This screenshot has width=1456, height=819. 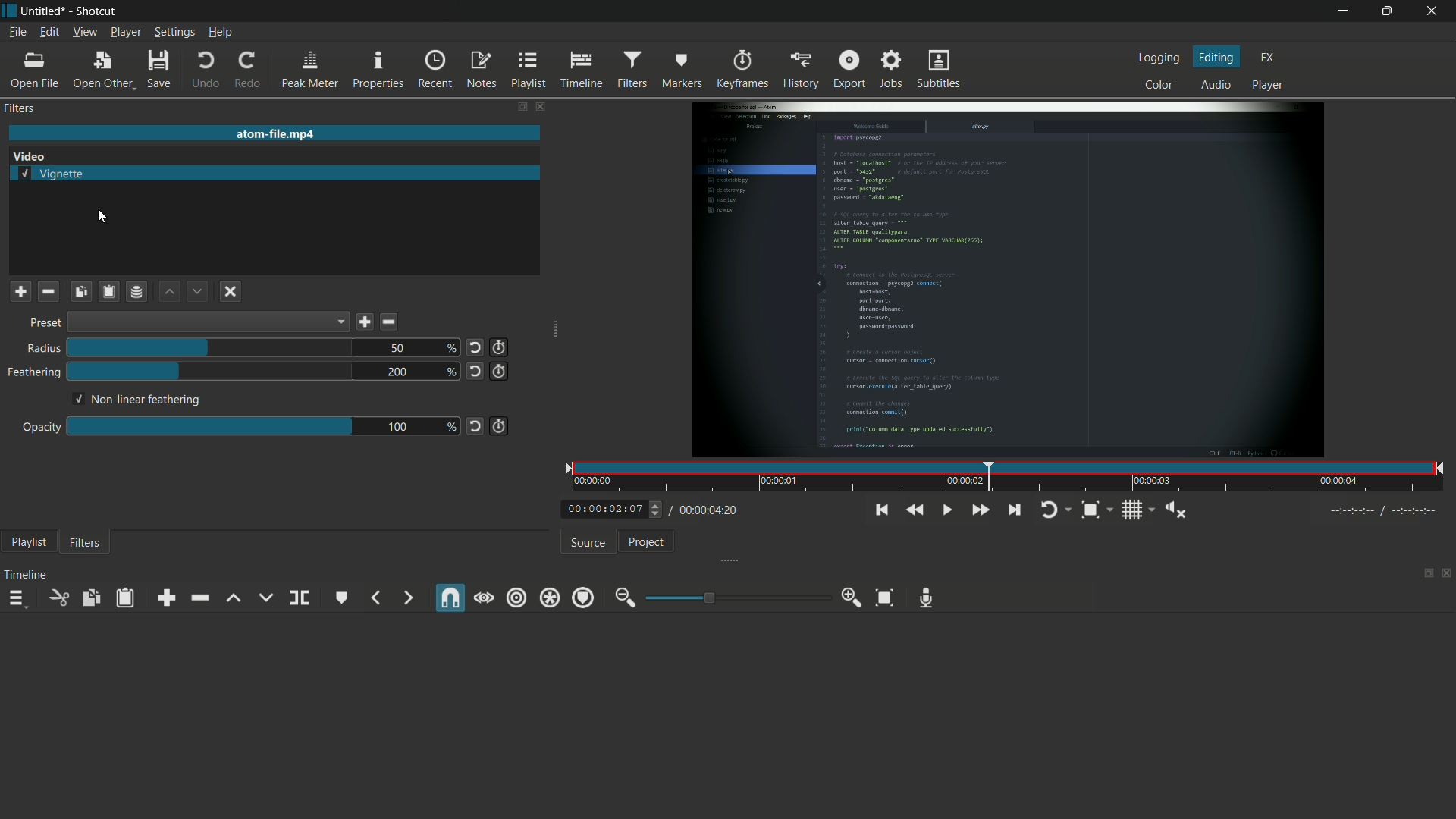 What do you see at coordinates (1219, 85) in the screenshot?
I see `audio` at bounding box center [1219, 85].